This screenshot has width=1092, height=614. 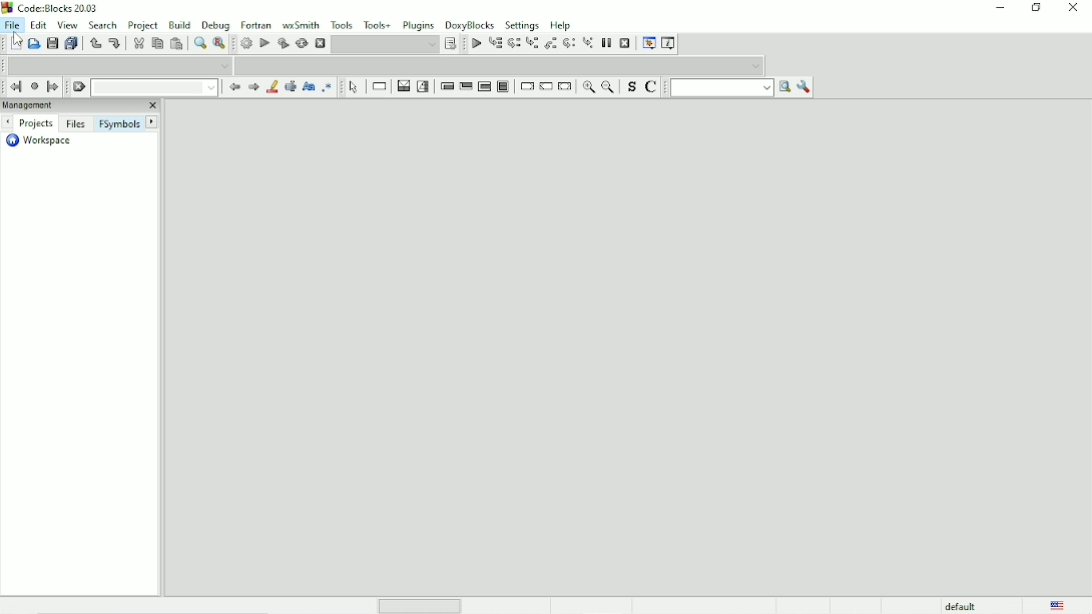 What do you see at coordinates (522, 24) in the screenshot?
I see `Settings` at bounding box center [522, 24].